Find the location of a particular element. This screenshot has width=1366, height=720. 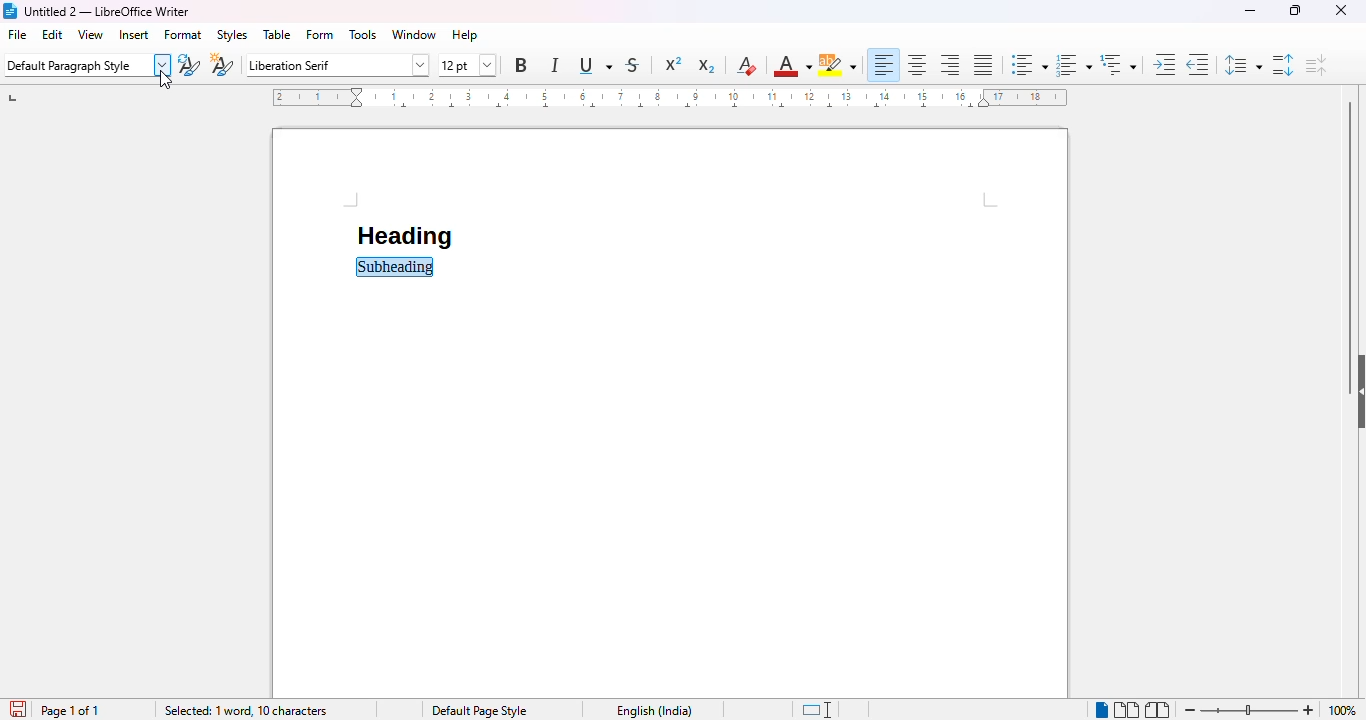

set line spacing is located at coordinates (1241, 65).